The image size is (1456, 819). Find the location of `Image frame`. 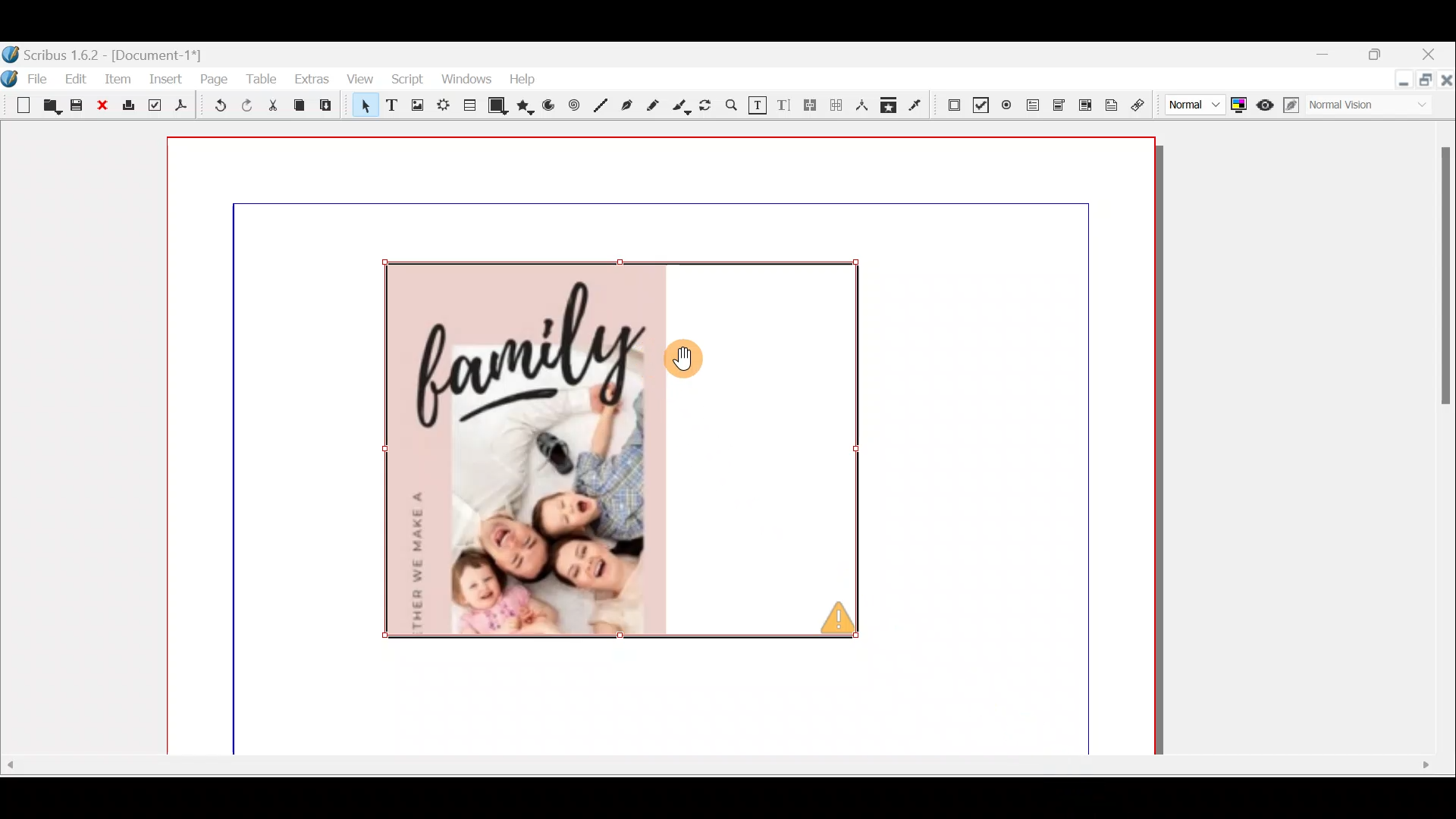

Image frame is located at coordinates (415, 107).